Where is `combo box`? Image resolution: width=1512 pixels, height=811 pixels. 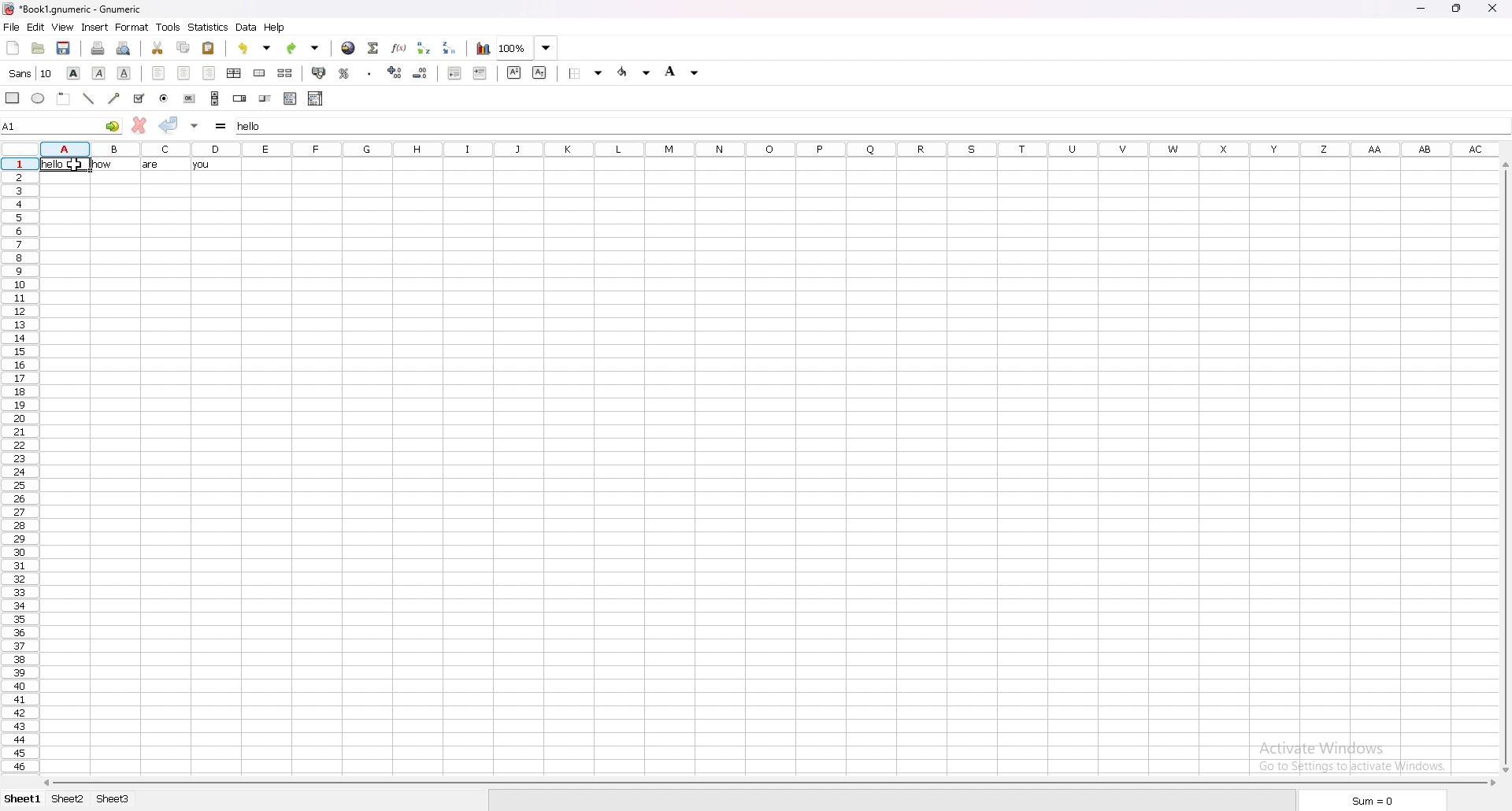
combo box is located at coordinates (316, 98).